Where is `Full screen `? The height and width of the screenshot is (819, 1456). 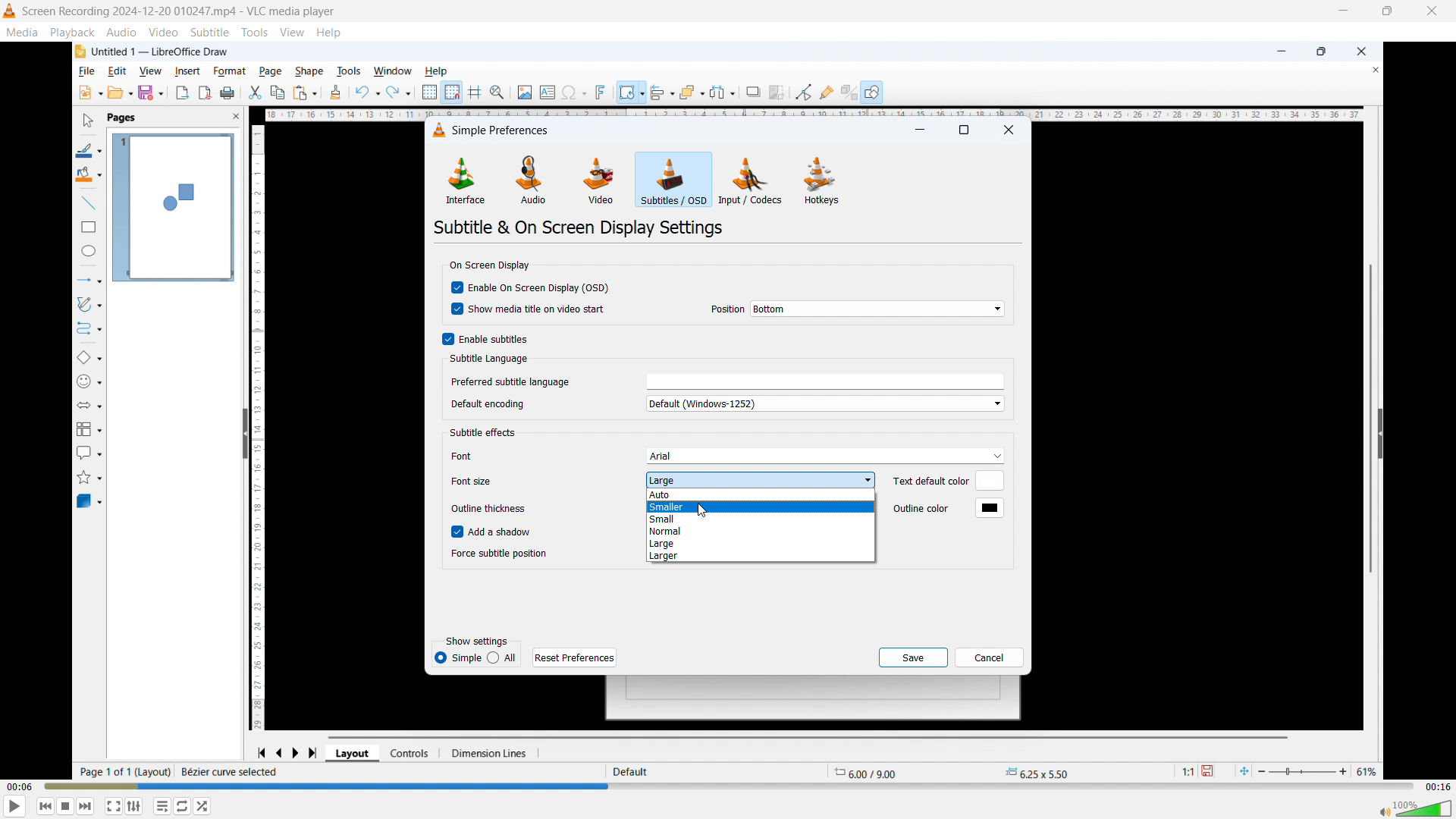 Full screen  is located at coordinates (114, 806).